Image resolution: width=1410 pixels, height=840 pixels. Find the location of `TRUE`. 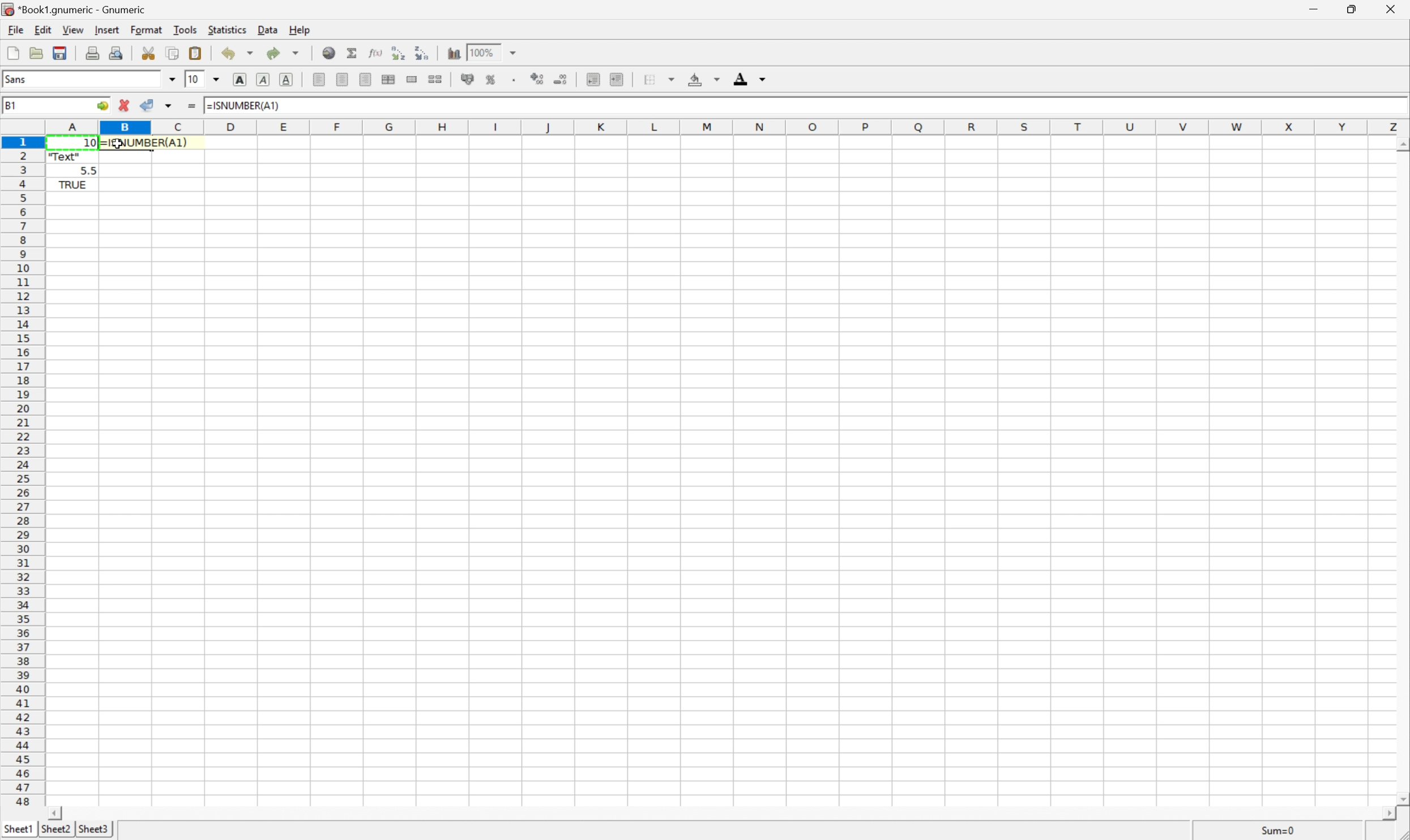

TRUE is located at coordinates (72, 186).